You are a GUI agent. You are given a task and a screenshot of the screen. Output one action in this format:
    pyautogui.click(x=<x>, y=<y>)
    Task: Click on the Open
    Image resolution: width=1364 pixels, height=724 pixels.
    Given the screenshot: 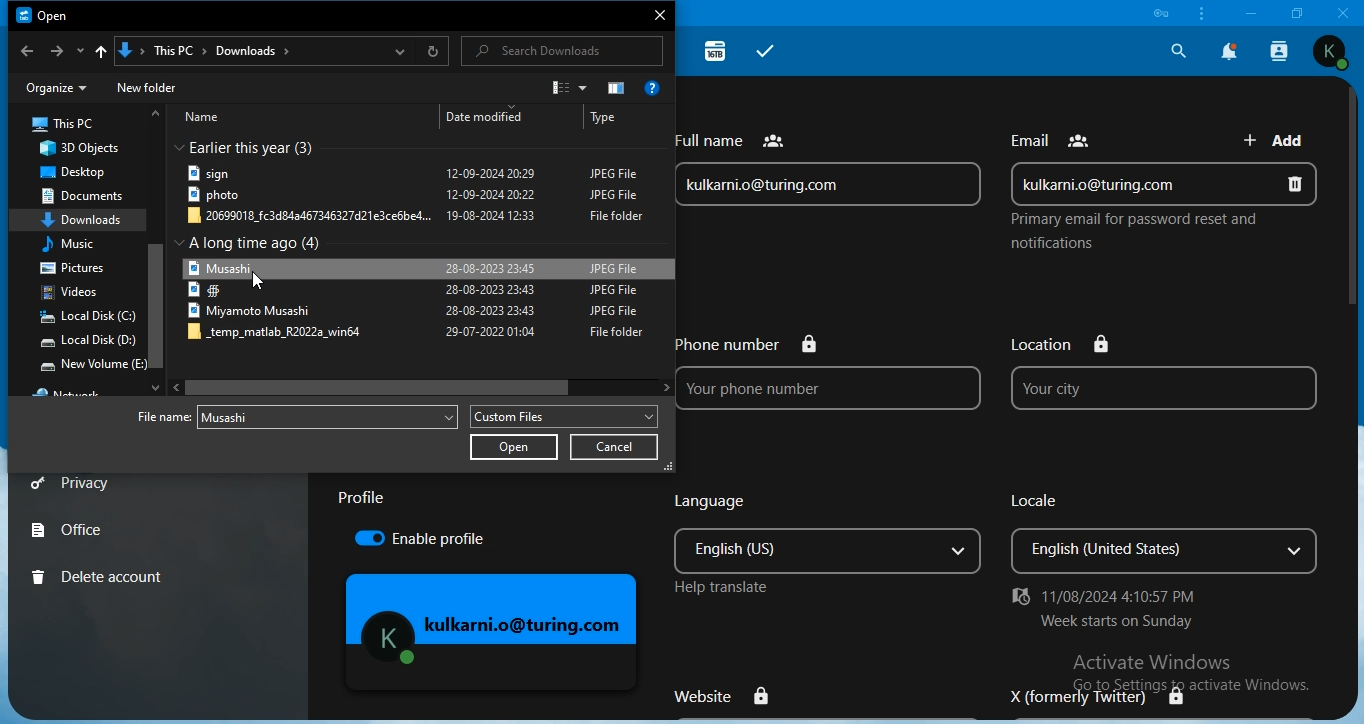 What is the action you would take?
    pyautogui.click(x=47, y=15)
    